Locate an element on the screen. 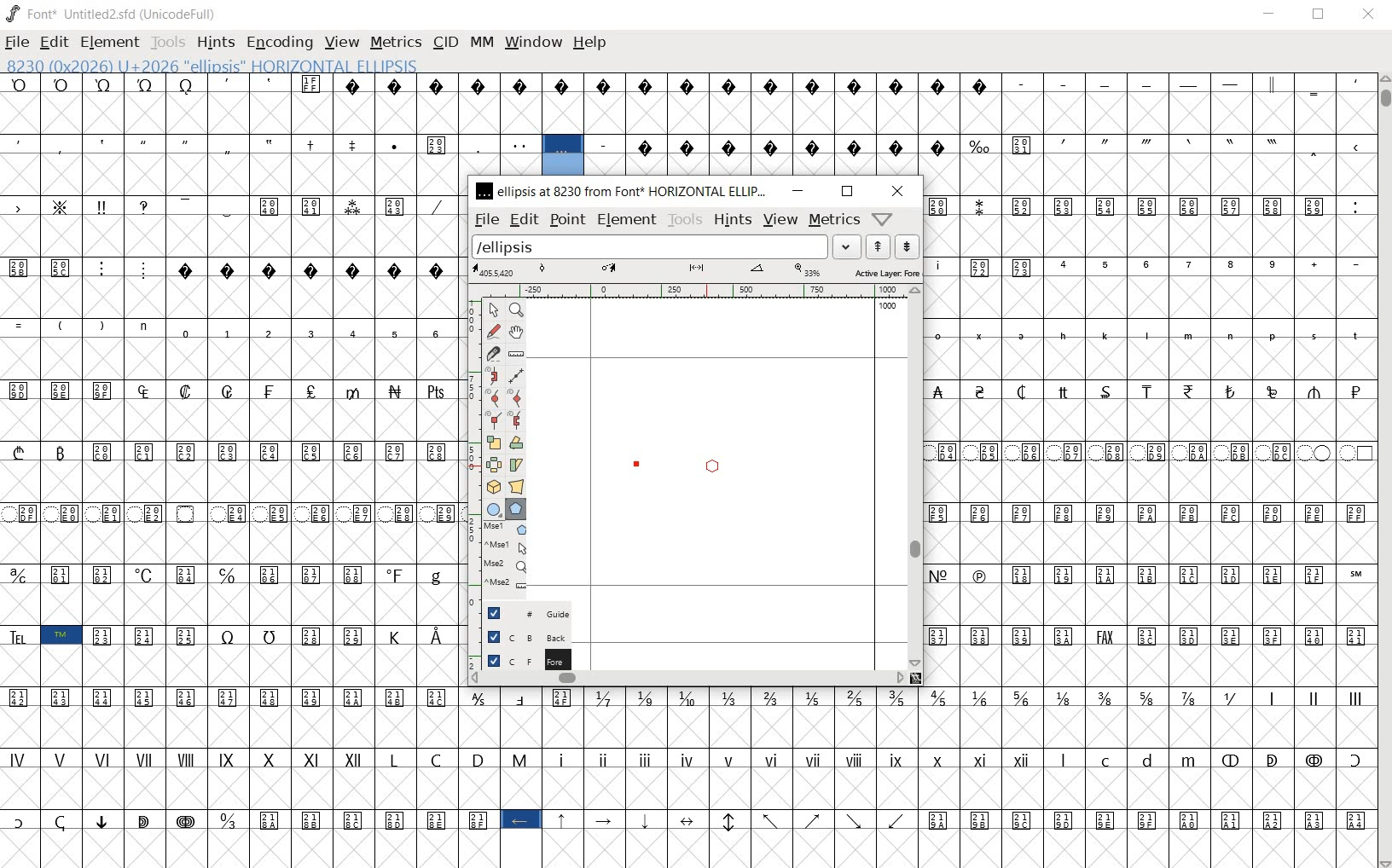 The height and width of the screenshot is (868, 1392). HELP is located at coordinates (590, 43).